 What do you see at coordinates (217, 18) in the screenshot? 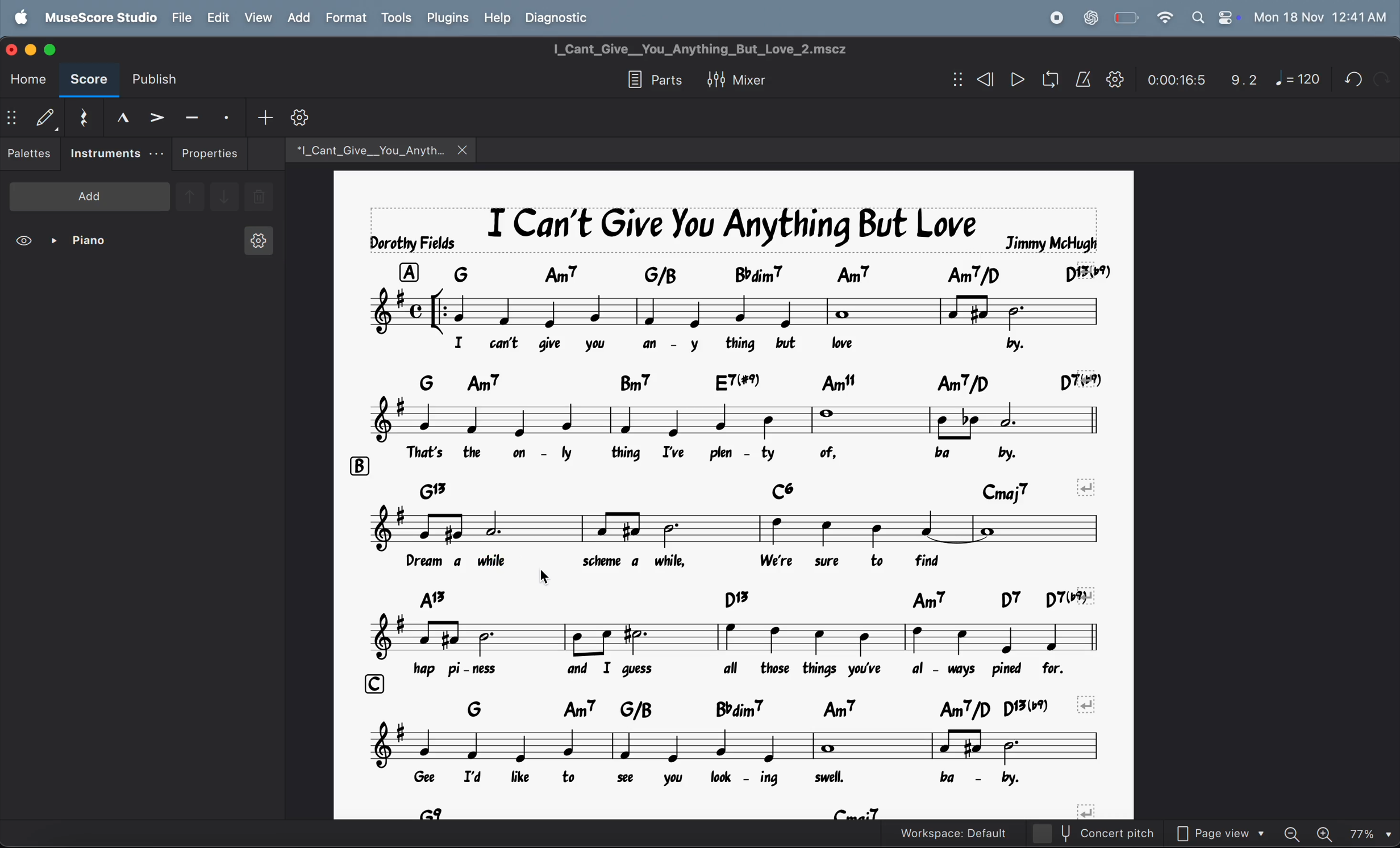
I see `edit` at bounding box center [217, 18].